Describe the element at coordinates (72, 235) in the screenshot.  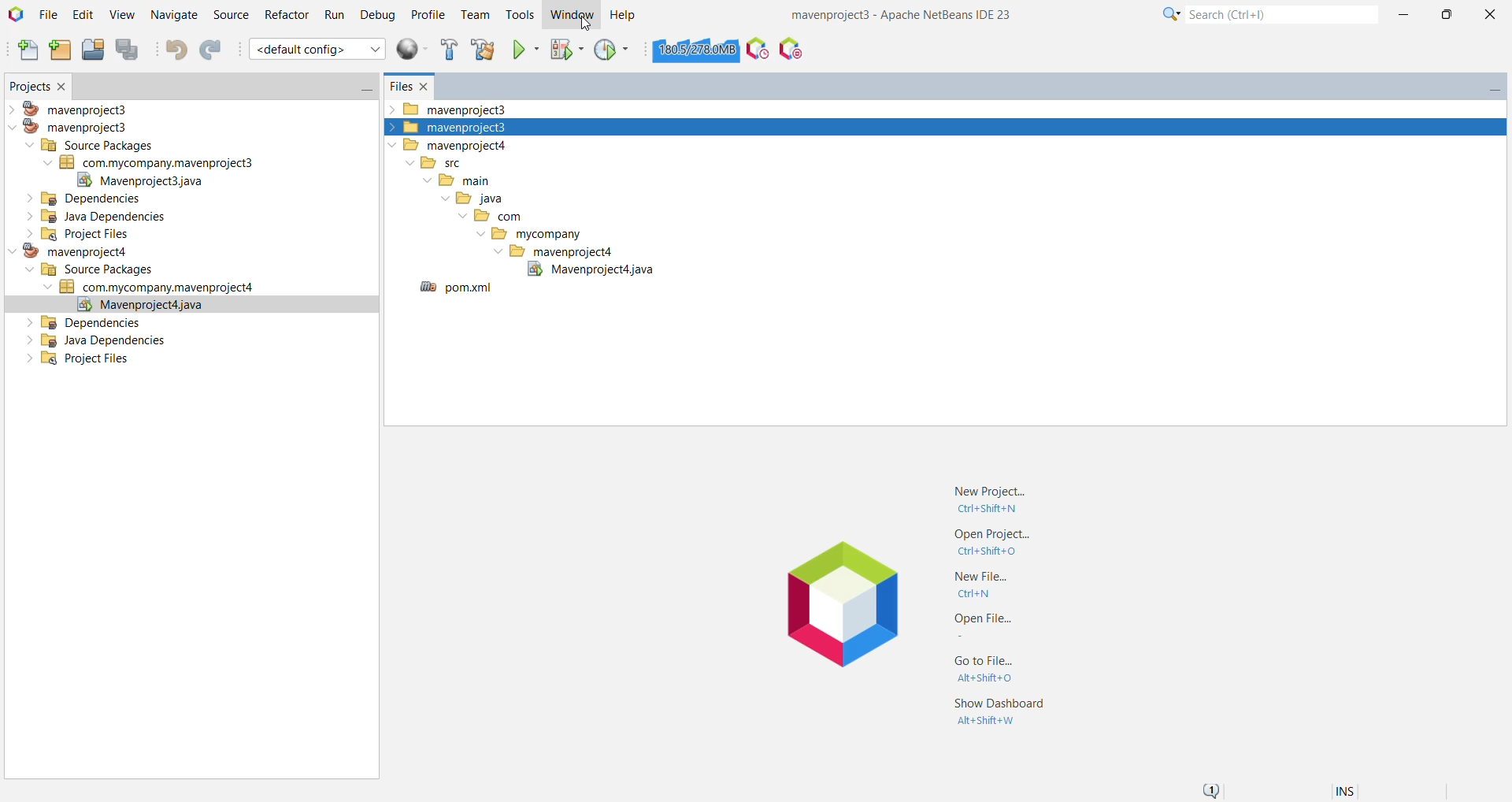
I see `Project Files` at that location.